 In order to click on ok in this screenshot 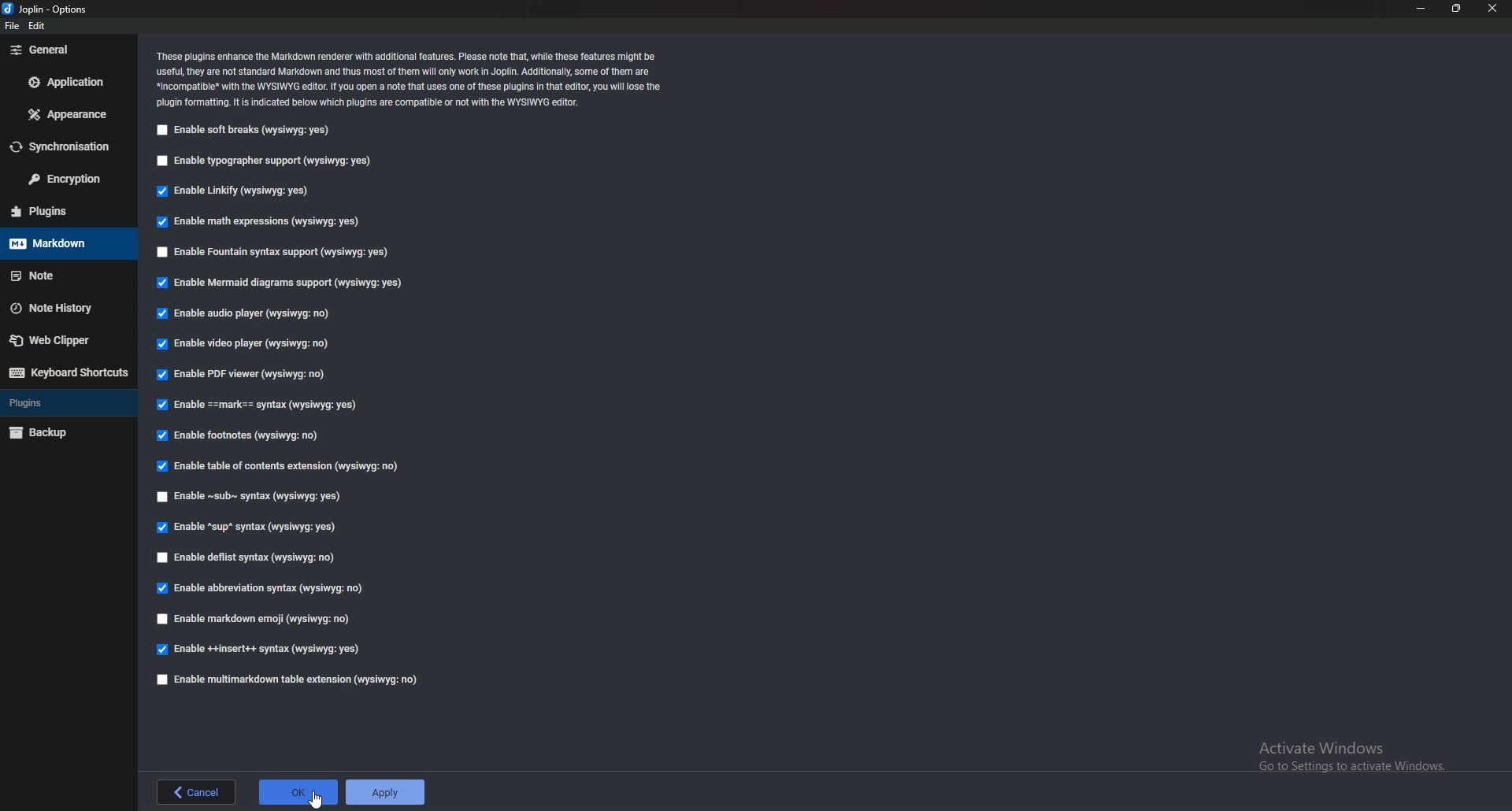, I will do `click(296, 791)`.